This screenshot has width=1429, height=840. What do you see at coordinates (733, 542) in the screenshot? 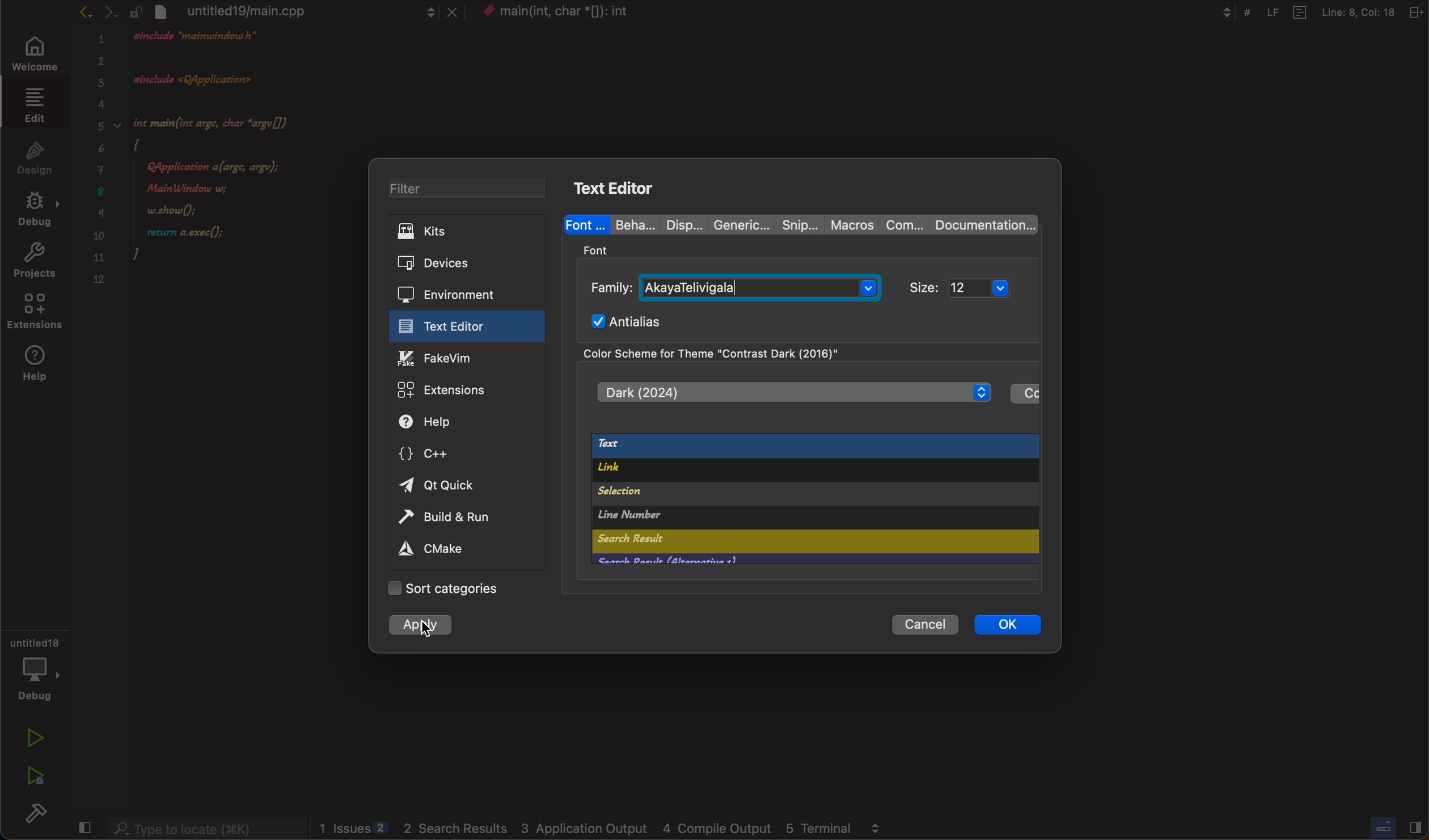
I see `search` at bounding box center [733, 542].